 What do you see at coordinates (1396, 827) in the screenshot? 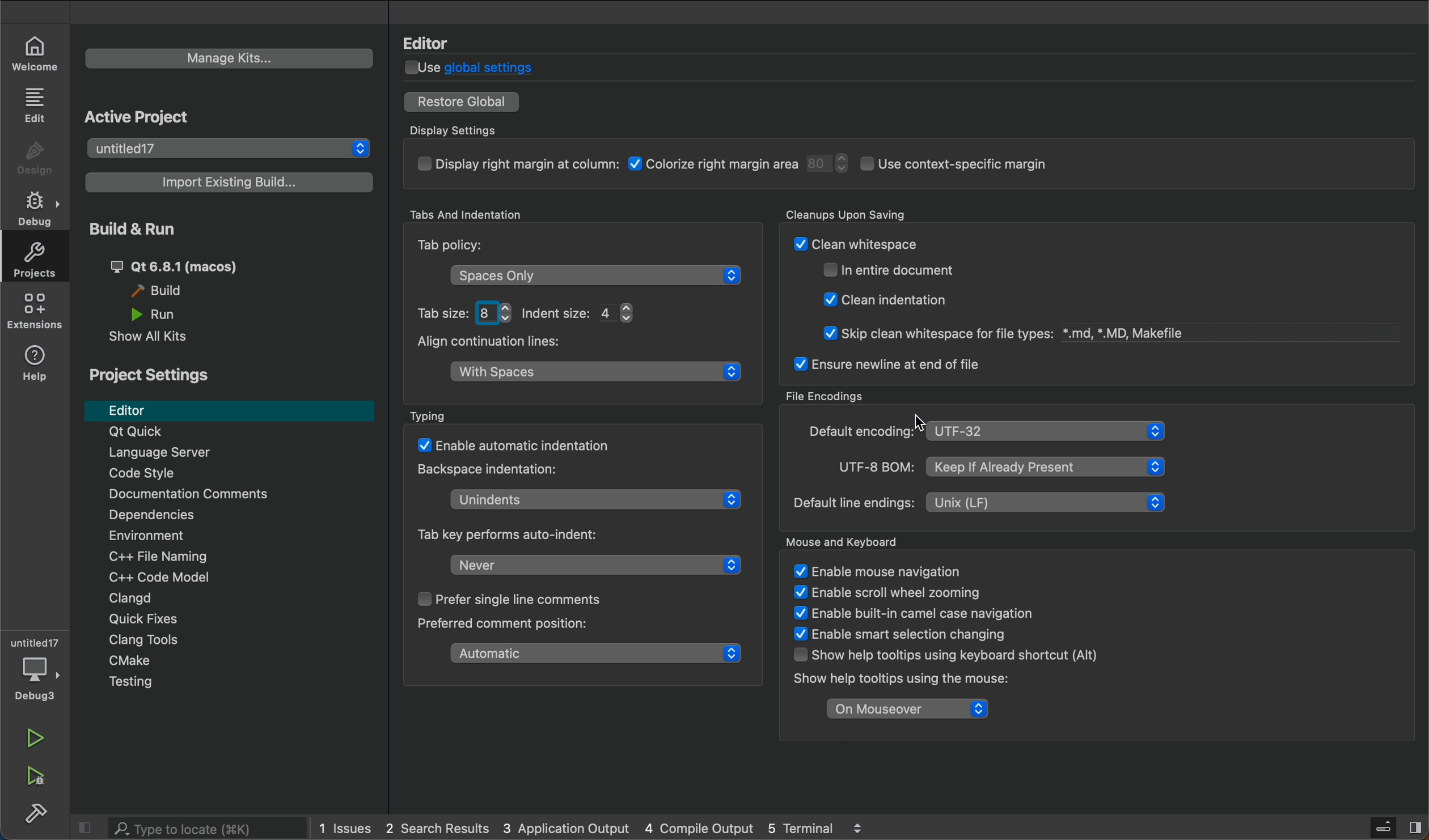
I see `sidebar toggle` at bounding box center [1396, 827].